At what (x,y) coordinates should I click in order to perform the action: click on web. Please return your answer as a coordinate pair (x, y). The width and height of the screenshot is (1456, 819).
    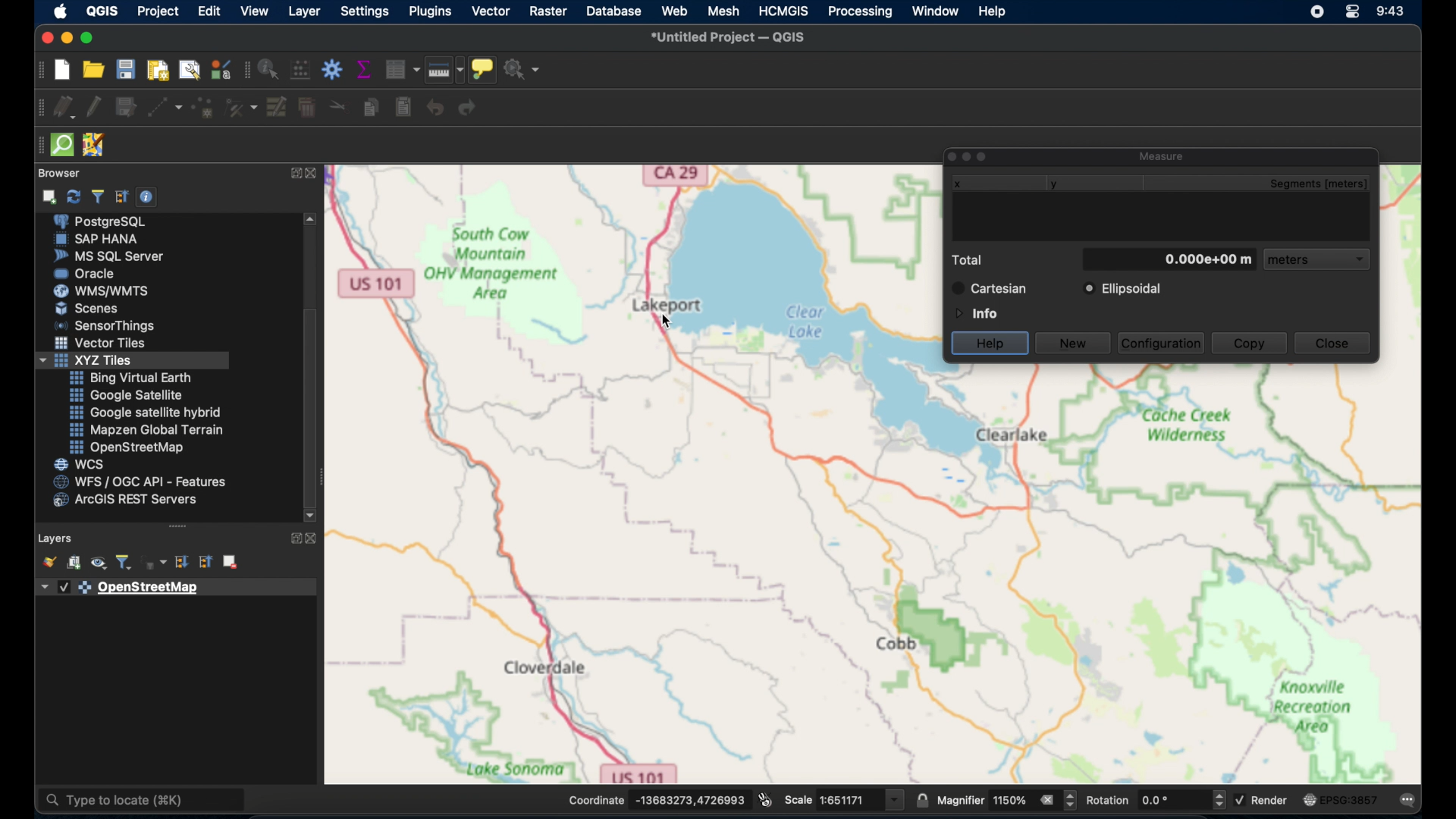
    Looking at the image, I should click on (674, 11).